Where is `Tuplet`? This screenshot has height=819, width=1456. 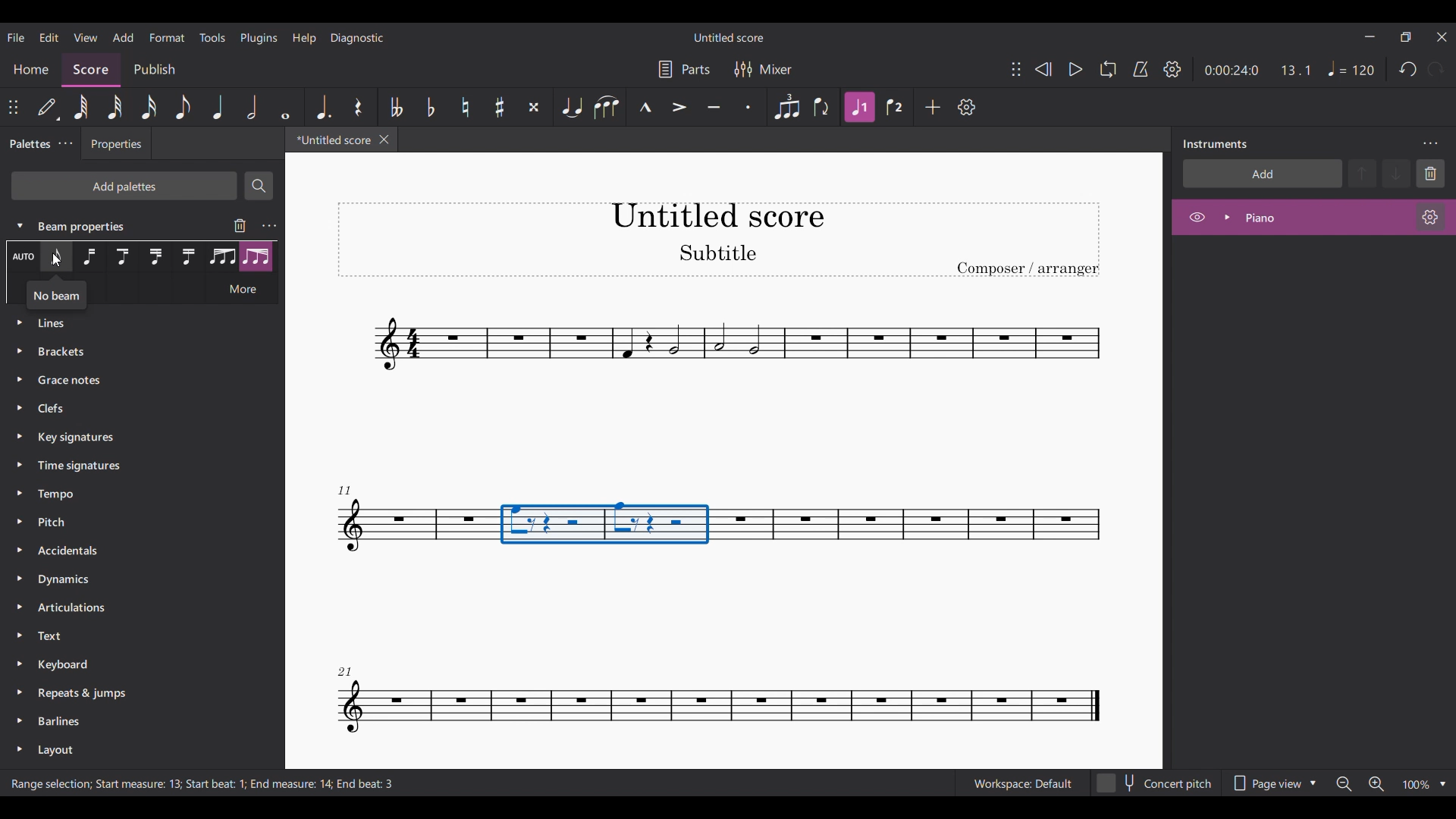 Tuplet is located at coordinates (787, 107).